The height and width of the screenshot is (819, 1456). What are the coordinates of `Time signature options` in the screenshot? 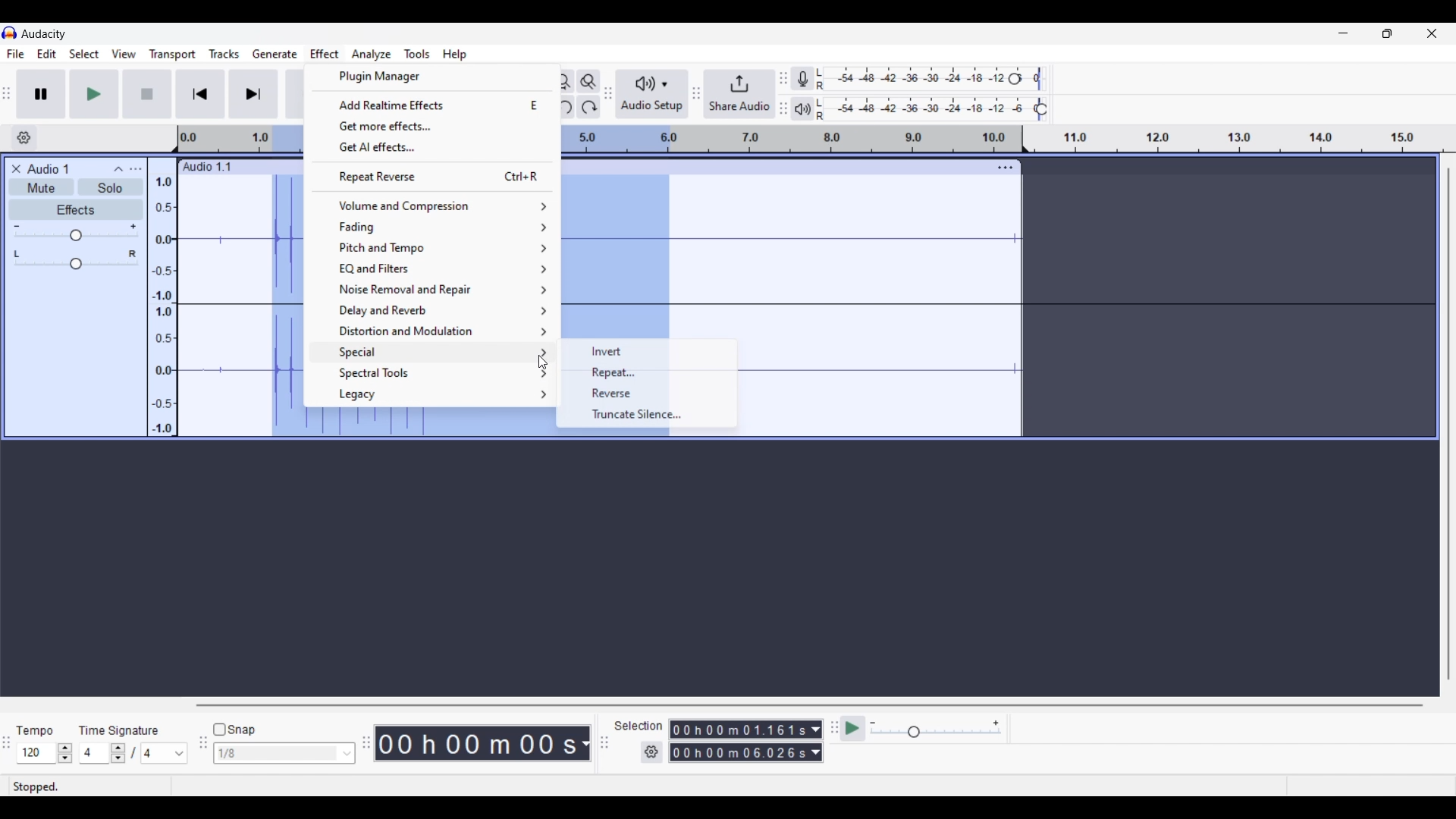 It's located at (165, 754).